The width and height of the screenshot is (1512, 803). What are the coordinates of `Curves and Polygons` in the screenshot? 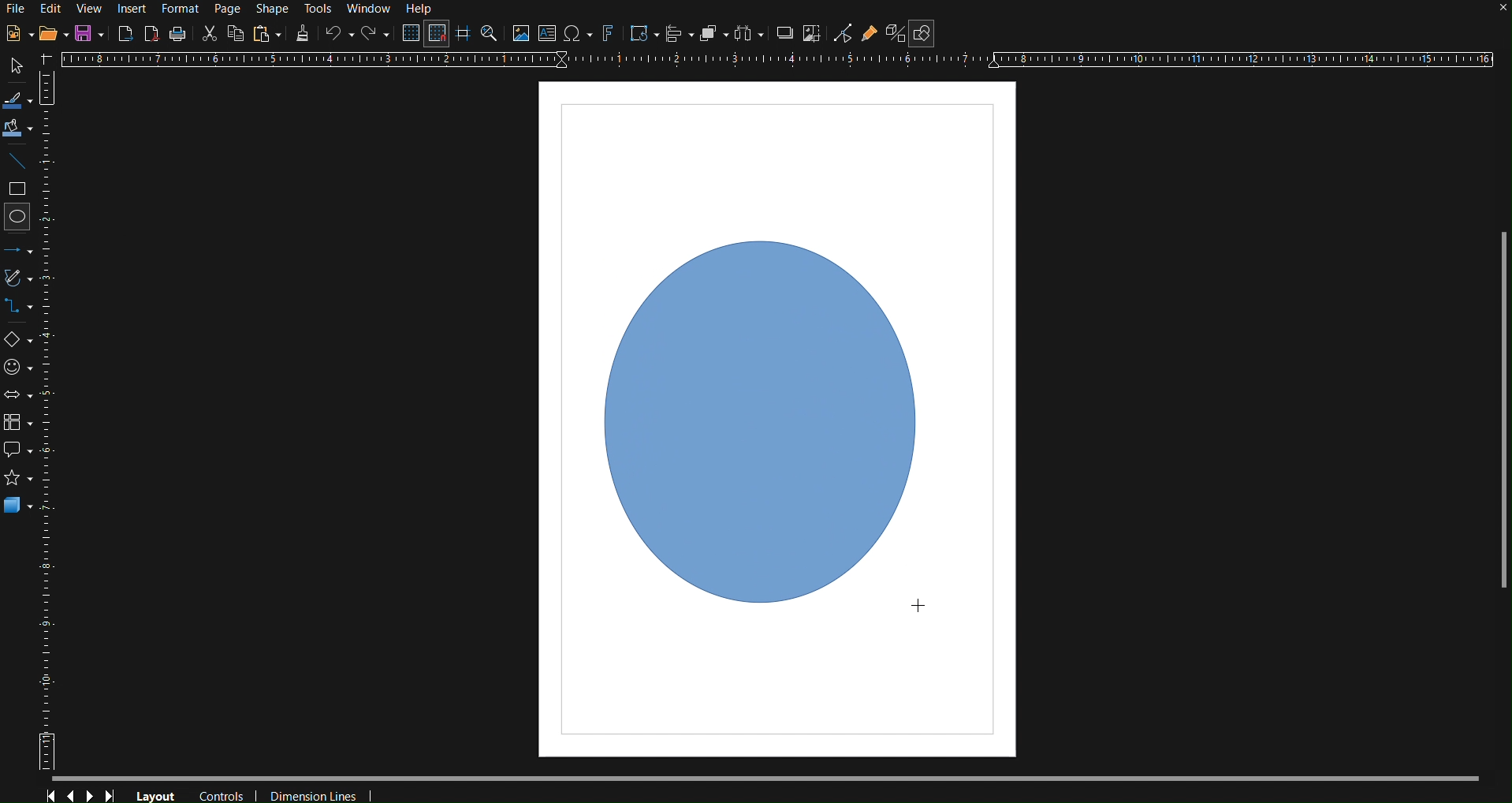 It's located at (22, 280).